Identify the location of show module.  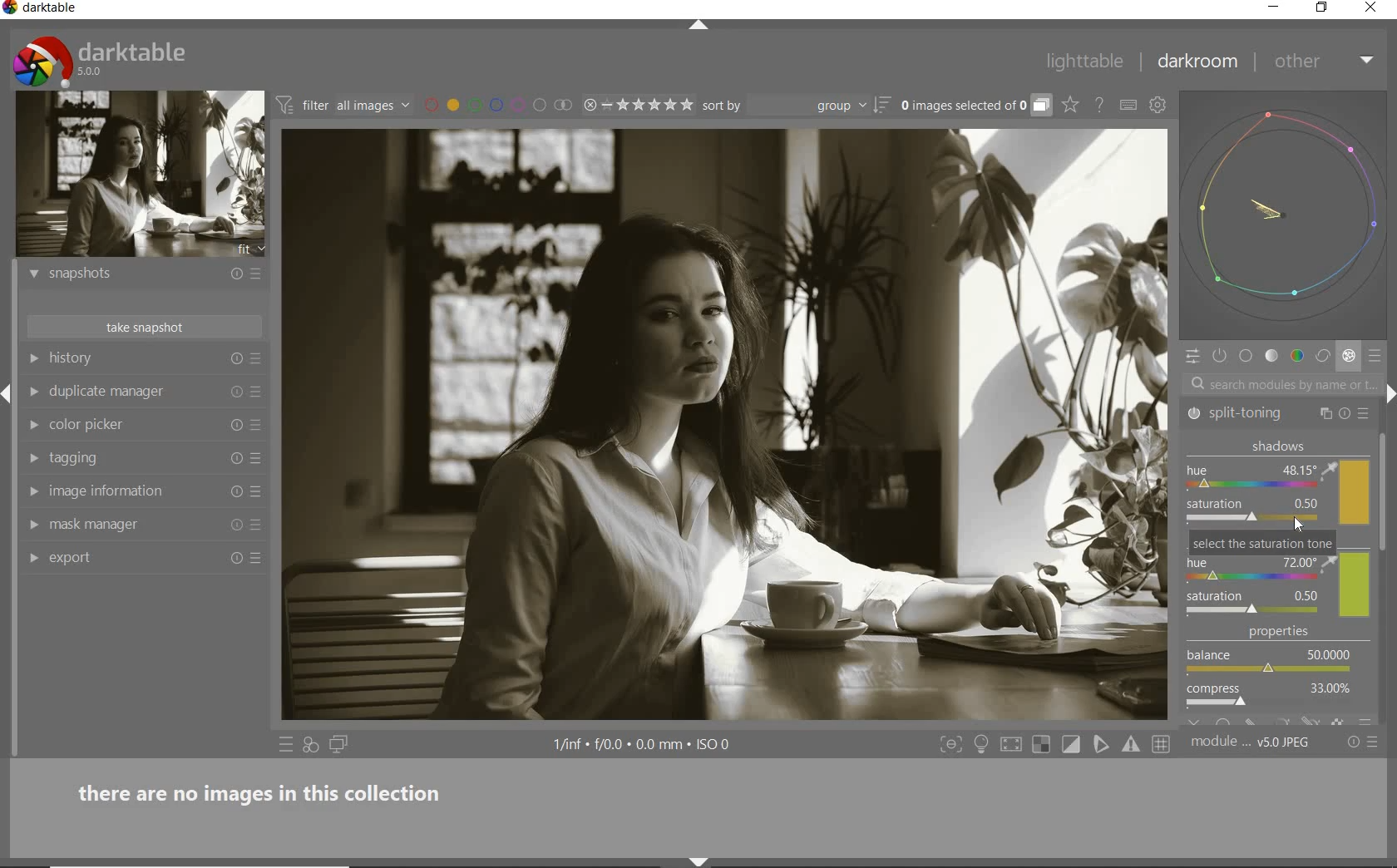
(33, 392).